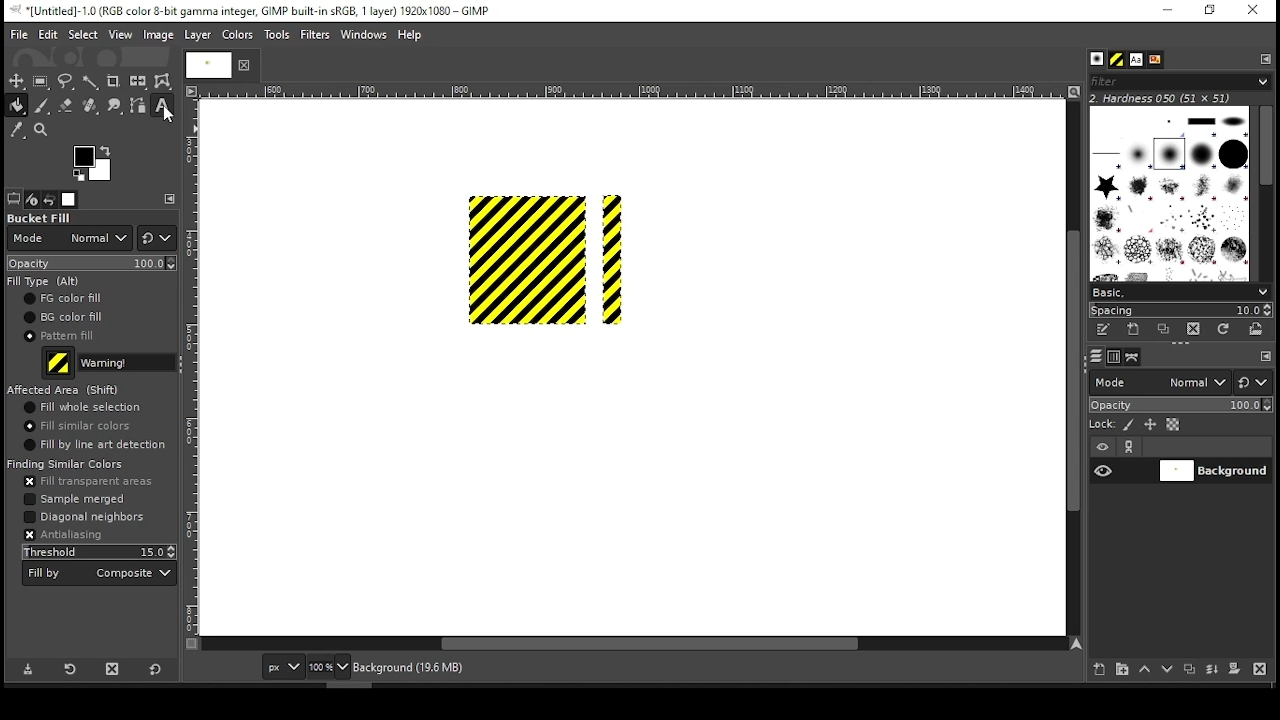 The image size is (1280, 720). Describe the element at coordinates (42, 131) in the screenshot. I see `zoom tool` at that location.